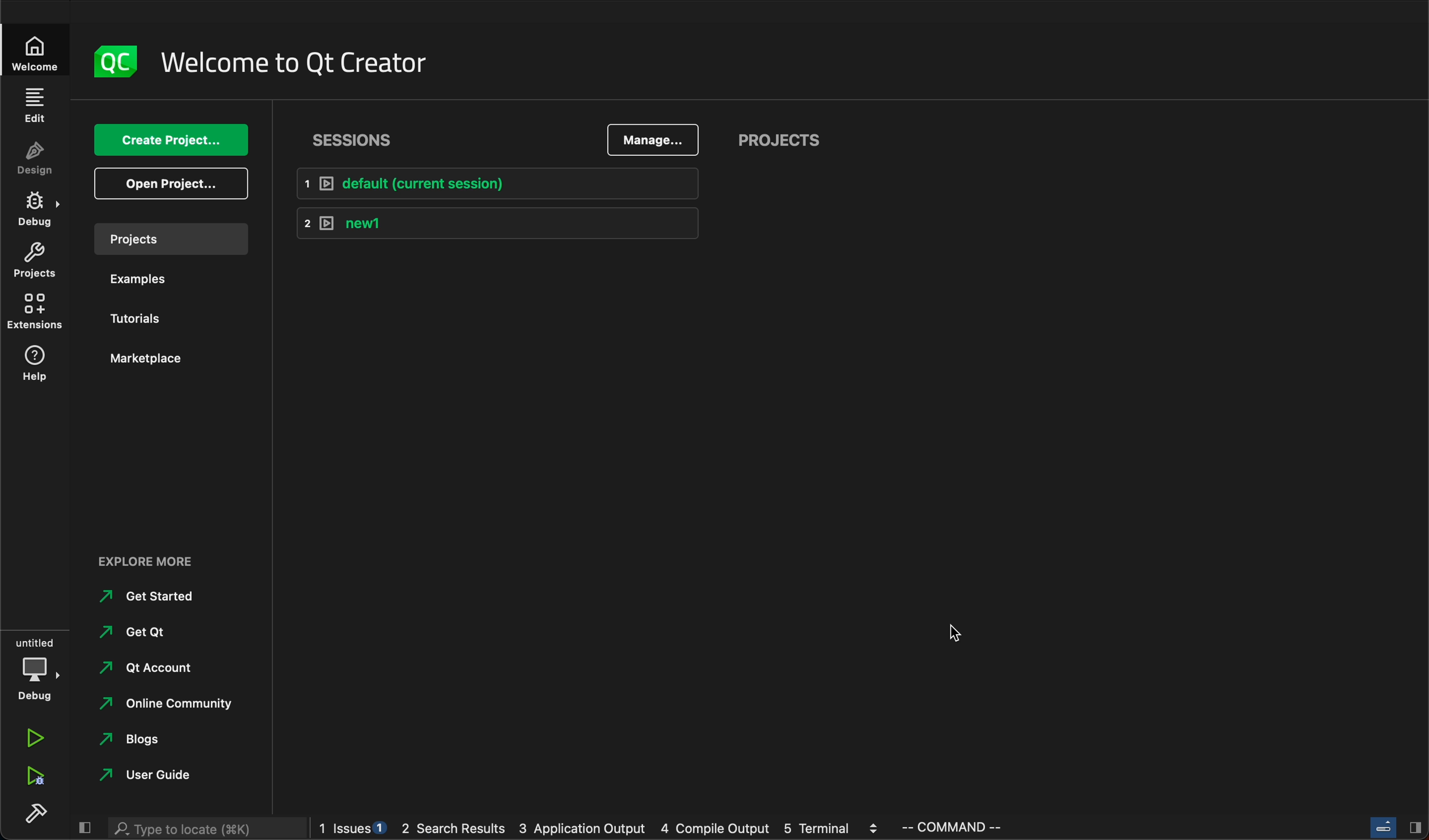 The image size is (1429, 840). I want to click on projects, so click(788, 141).